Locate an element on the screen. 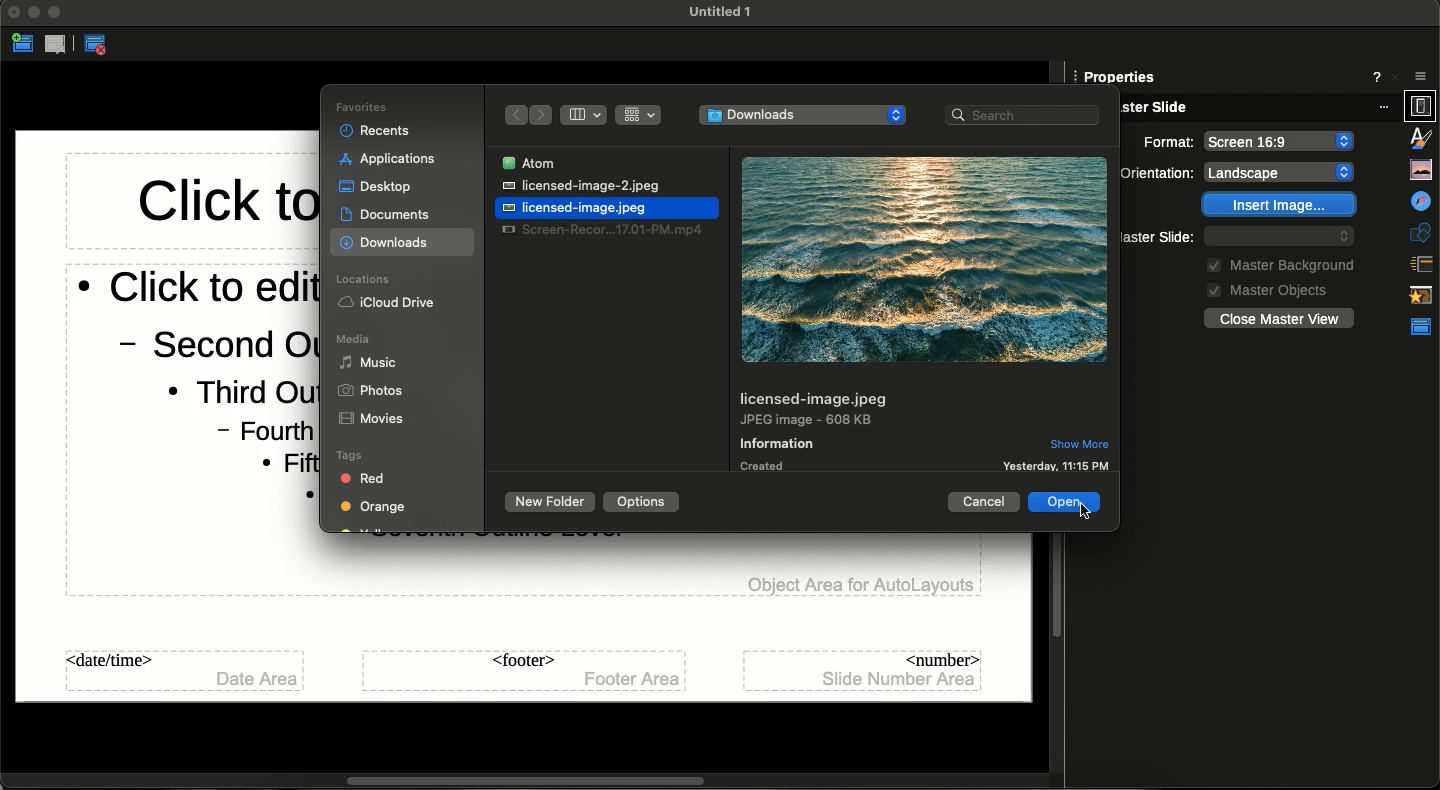  Clicking open is located at coordinates (1067, 503).